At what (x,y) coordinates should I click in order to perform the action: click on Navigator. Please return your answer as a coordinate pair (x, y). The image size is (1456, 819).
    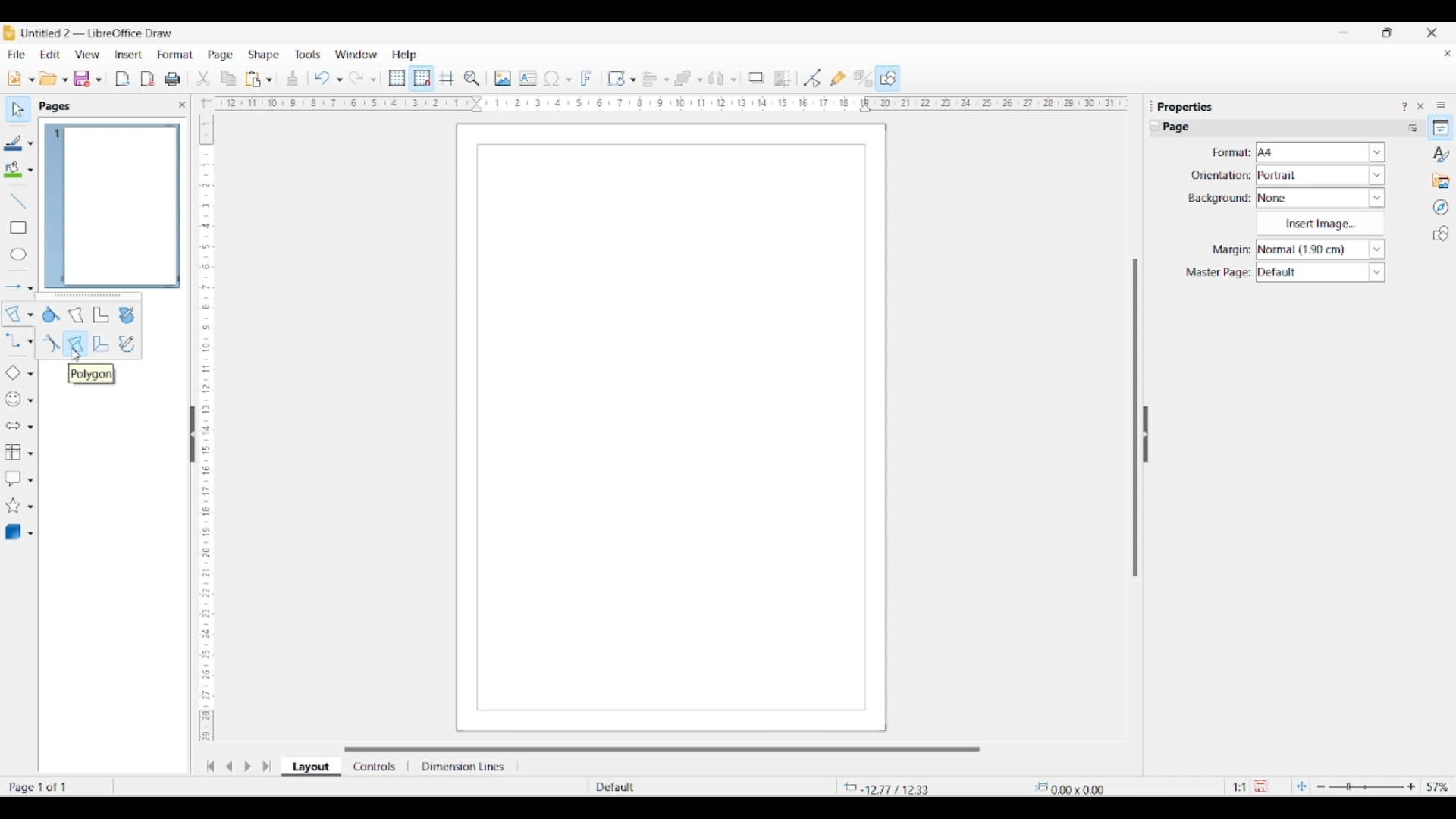
    Looking at the image, I should click on (1441, 208).